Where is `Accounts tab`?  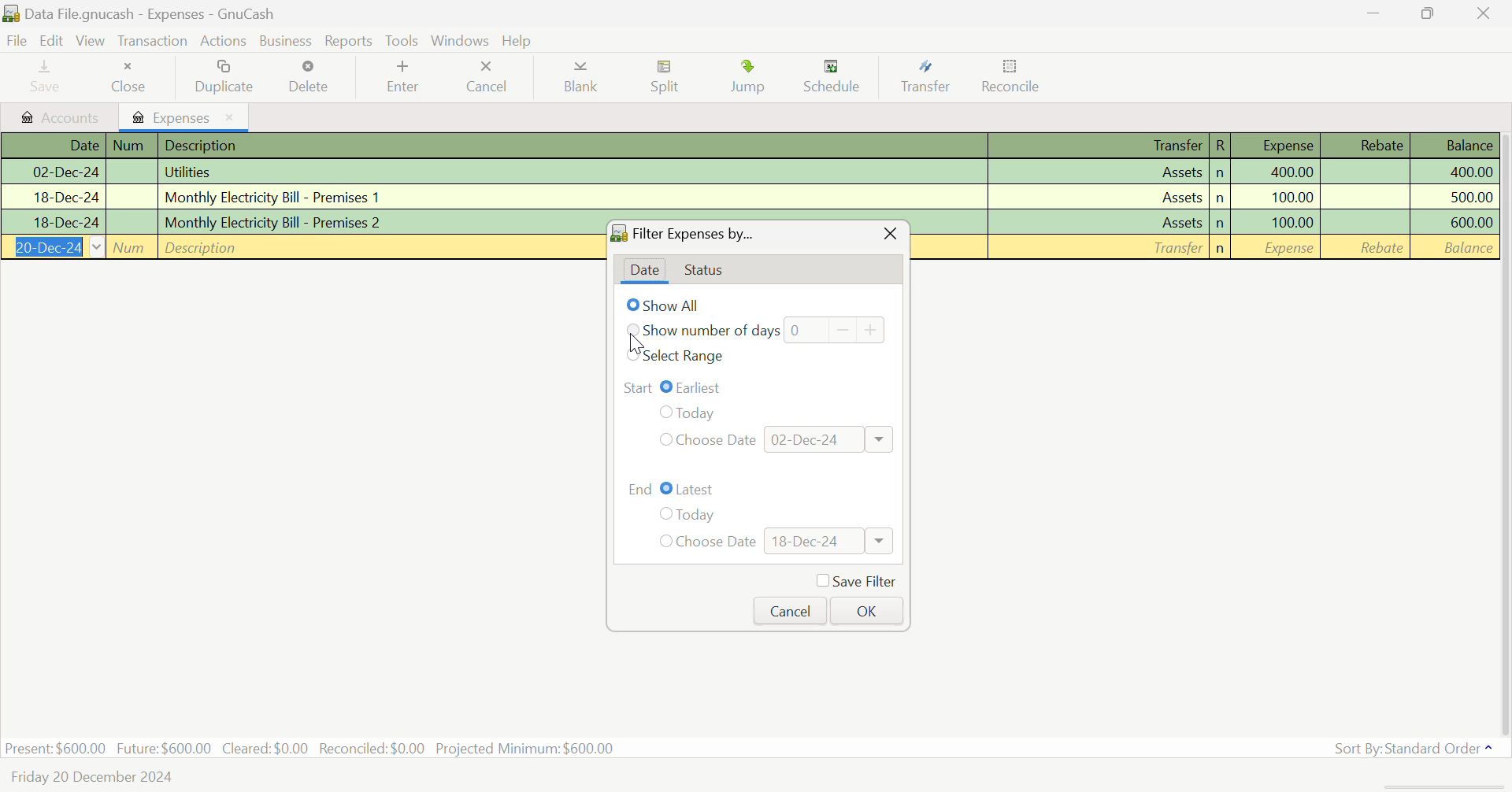
Accounts tab is located at coordinates (60, 116).